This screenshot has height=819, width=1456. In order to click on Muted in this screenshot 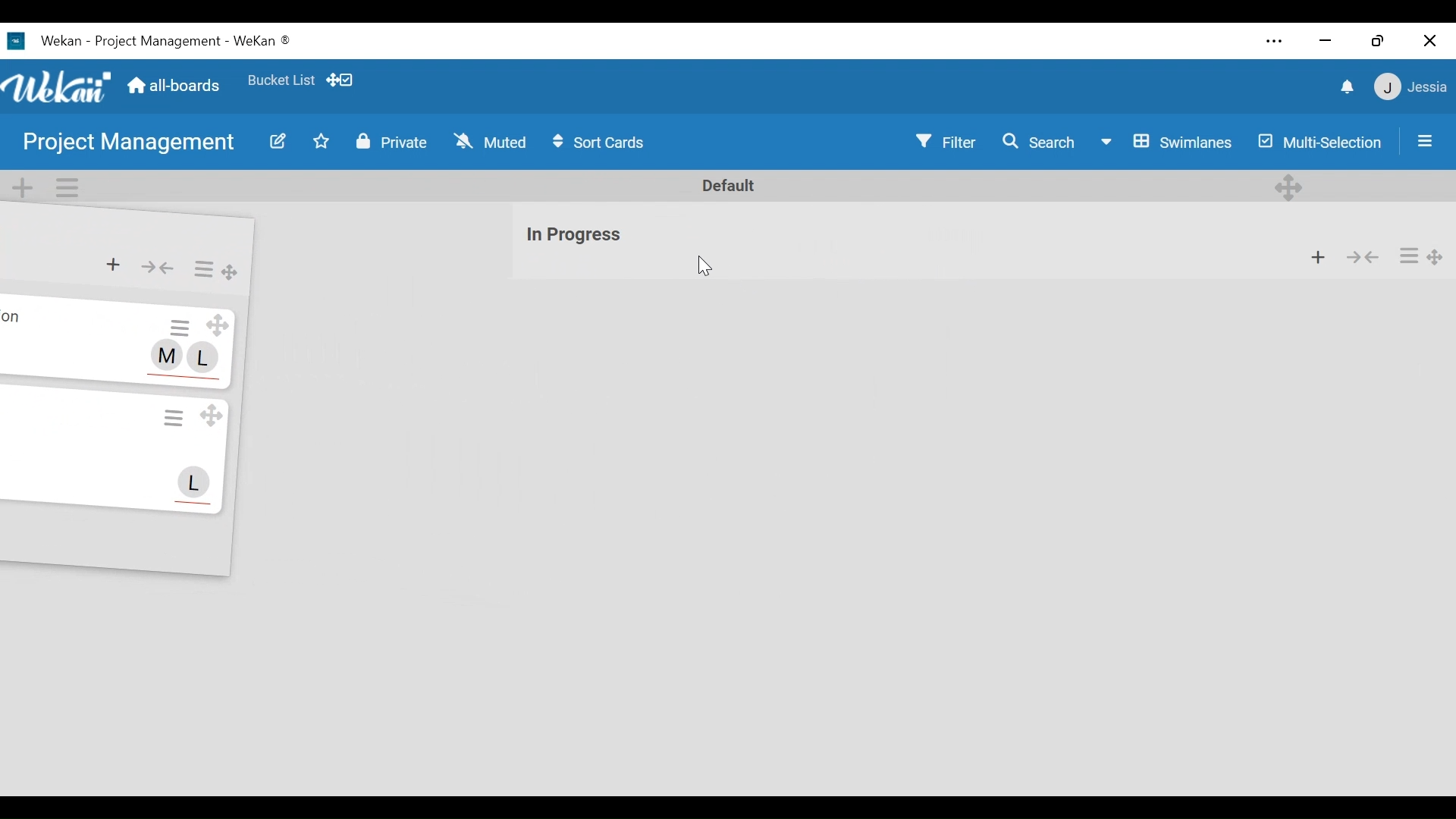, I will do `click(493, 142)`.